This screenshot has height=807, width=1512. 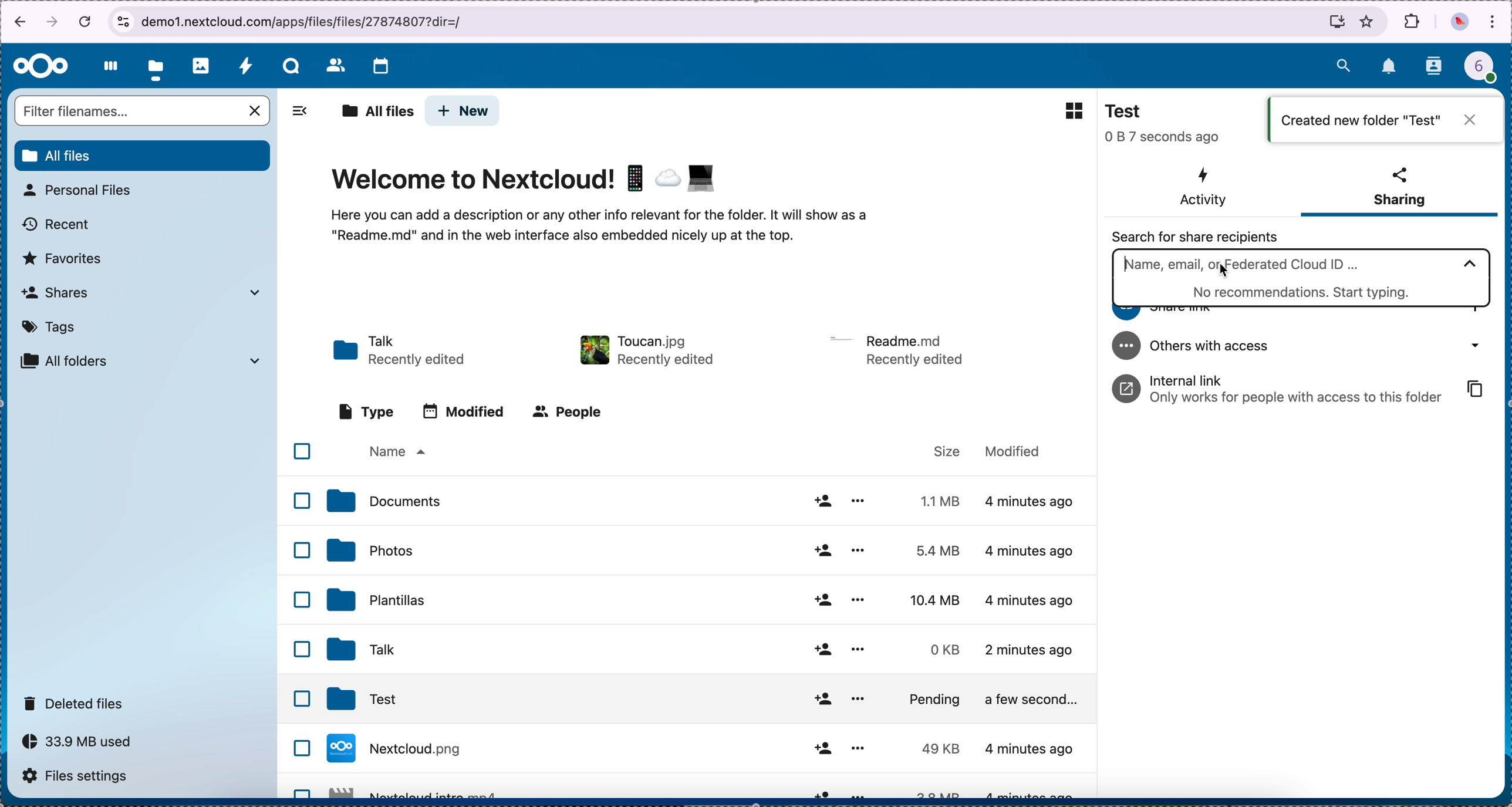 What do you see at coordinates (144, 112) in the screenshot?
I see `search bar` at bounding box center [144, 112].